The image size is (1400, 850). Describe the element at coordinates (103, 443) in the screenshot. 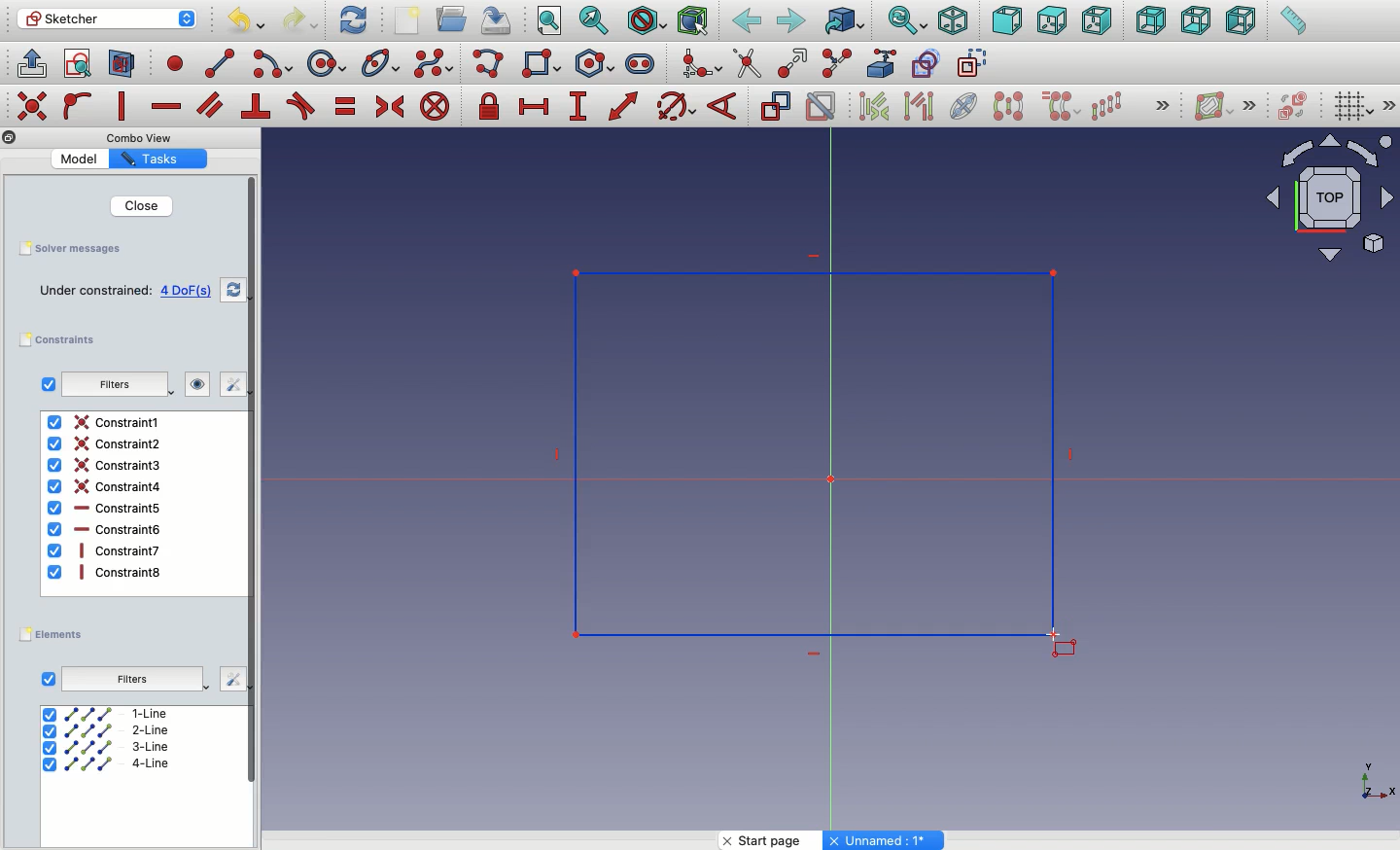

I see `Constraint2` at that location.